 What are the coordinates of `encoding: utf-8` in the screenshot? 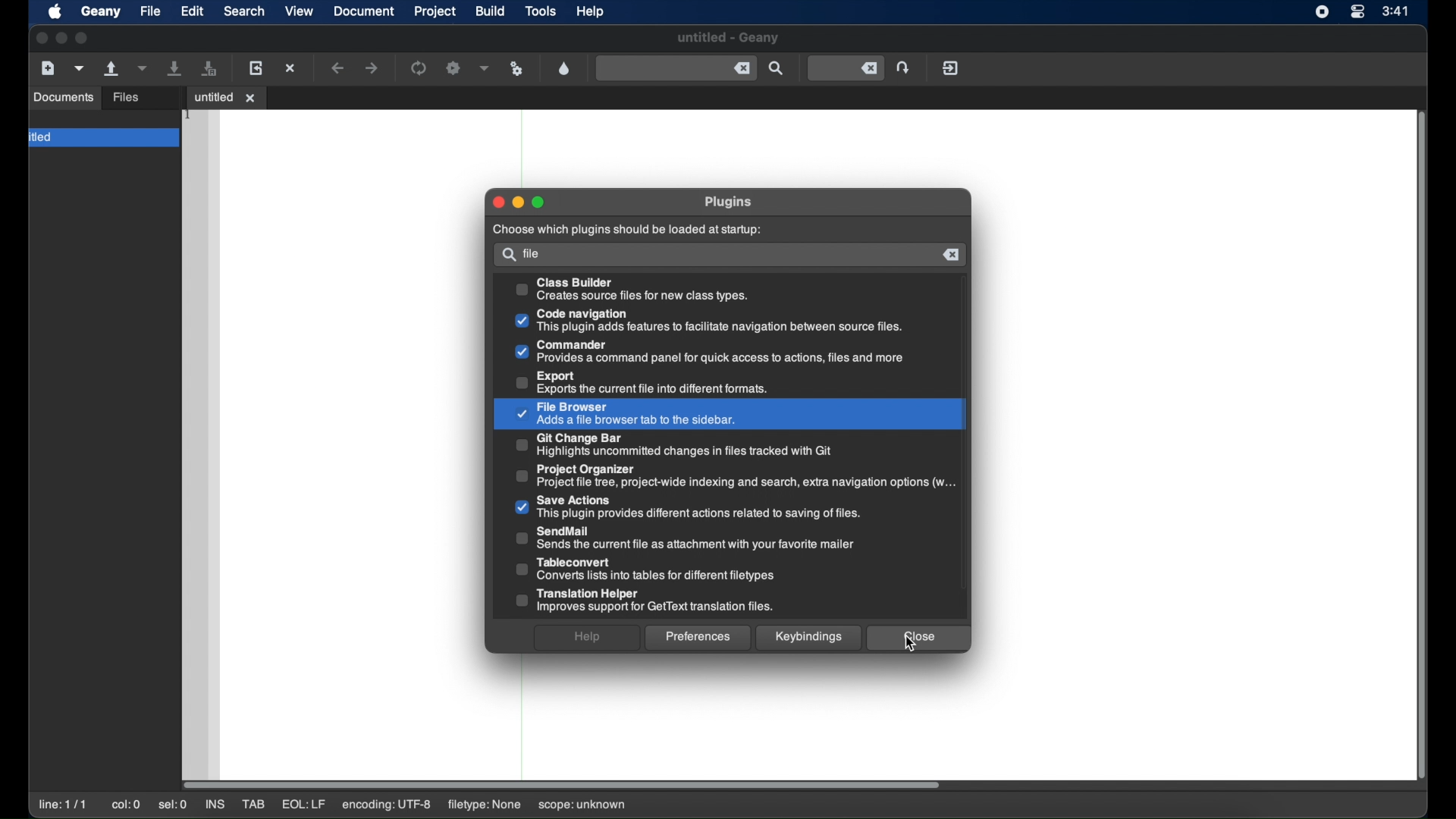 It's located at (387, 805).